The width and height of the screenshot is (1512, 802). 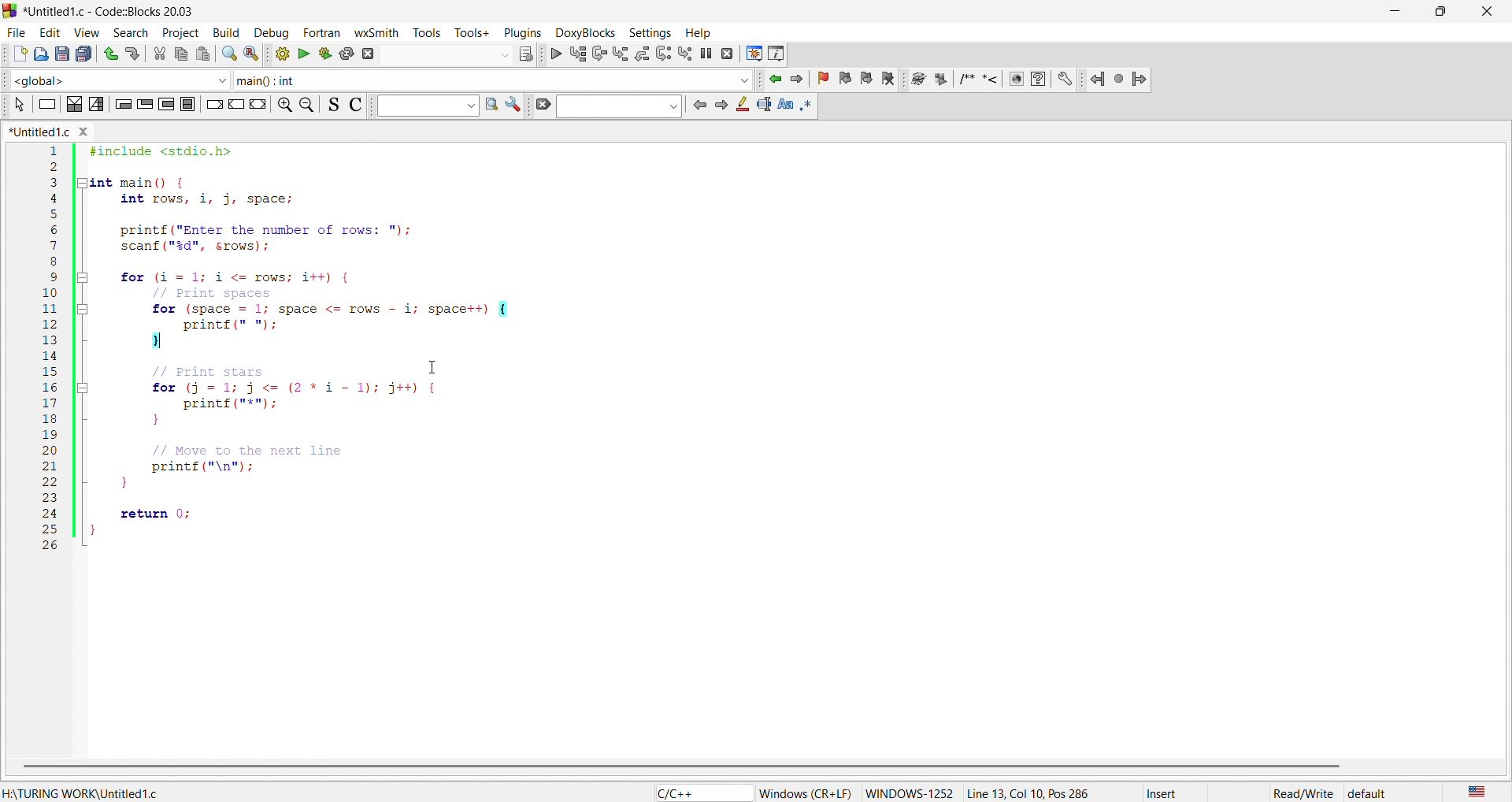 What do you see at coordinates (1121, 80) in the screenshot?
I see `last jump` at bounding box center [1121, 80].